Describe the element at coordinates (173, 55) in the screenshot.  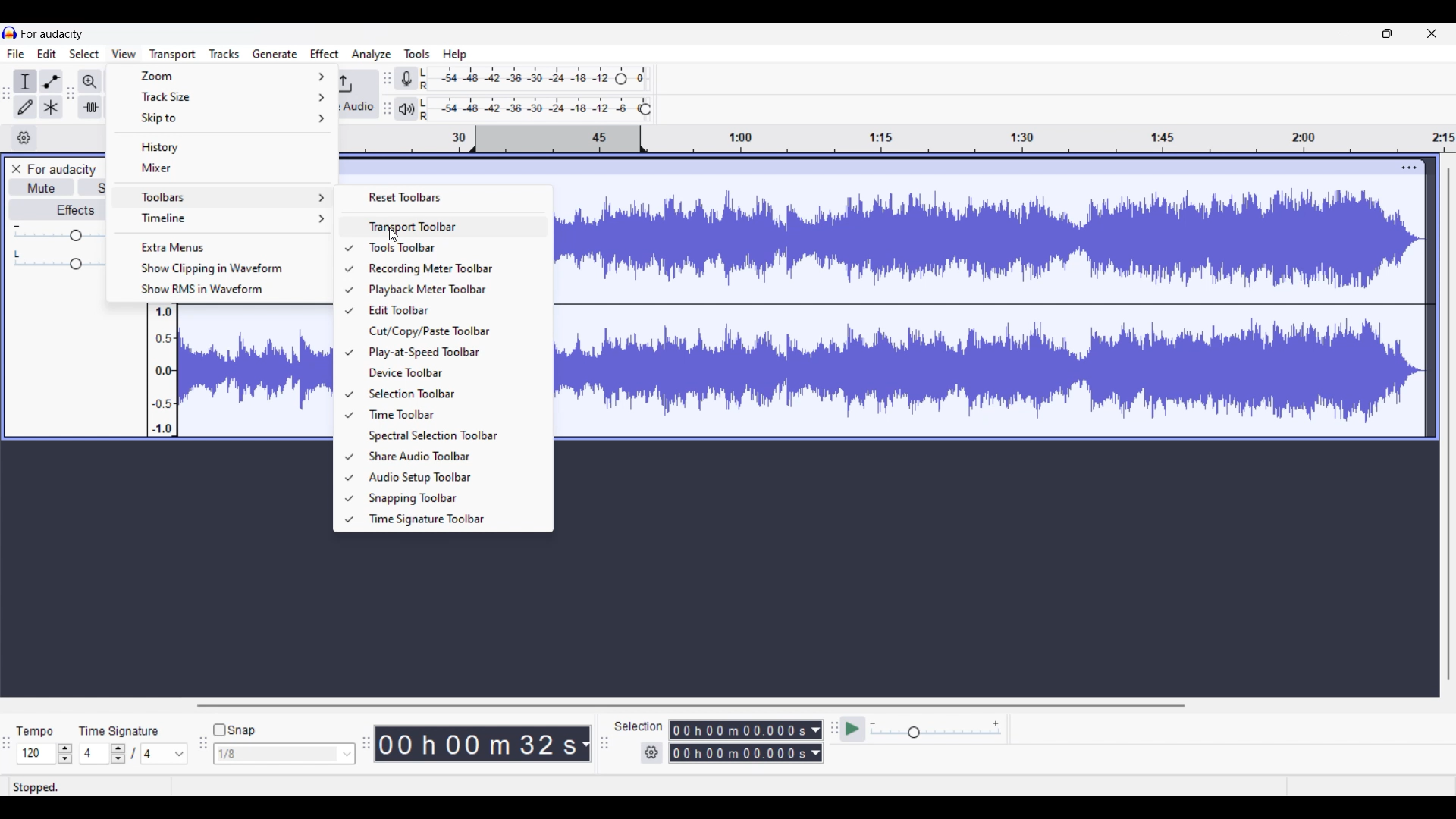
I see `Transport menu` at that location.